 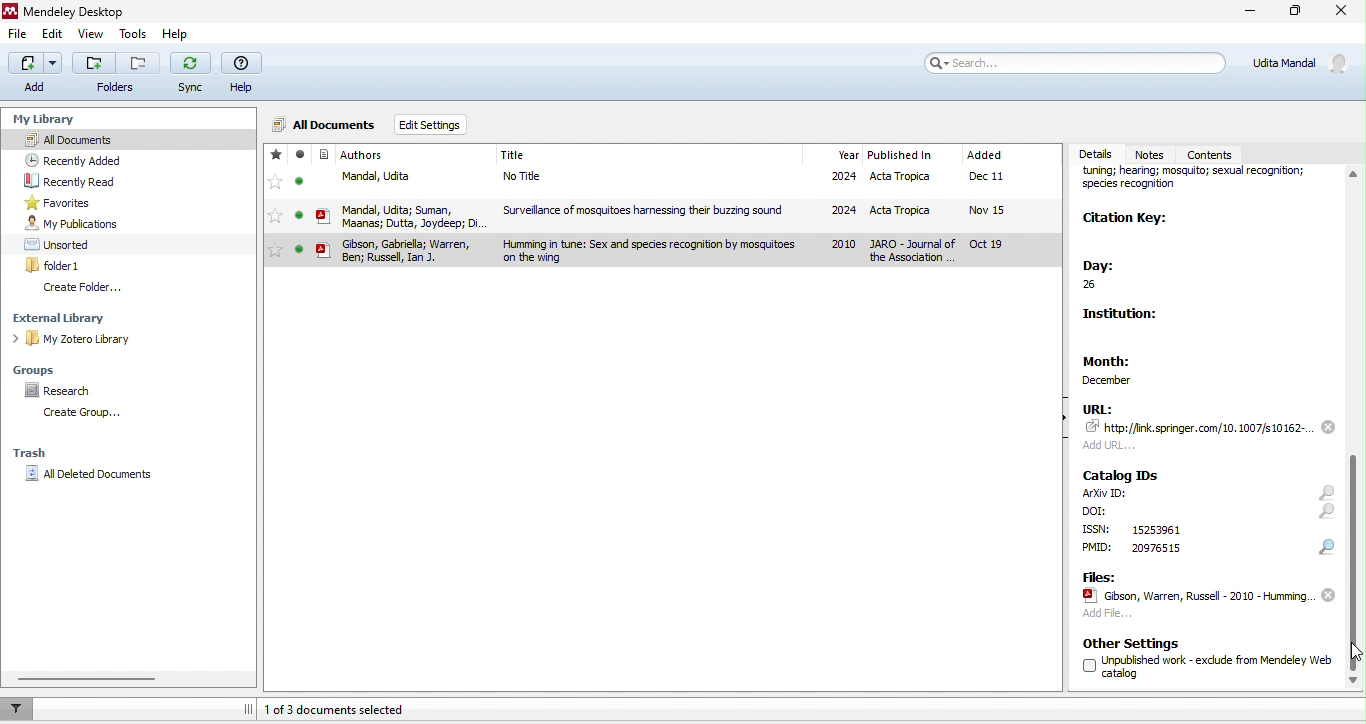 I want to click on journal name, so click(x=1201, y=183).